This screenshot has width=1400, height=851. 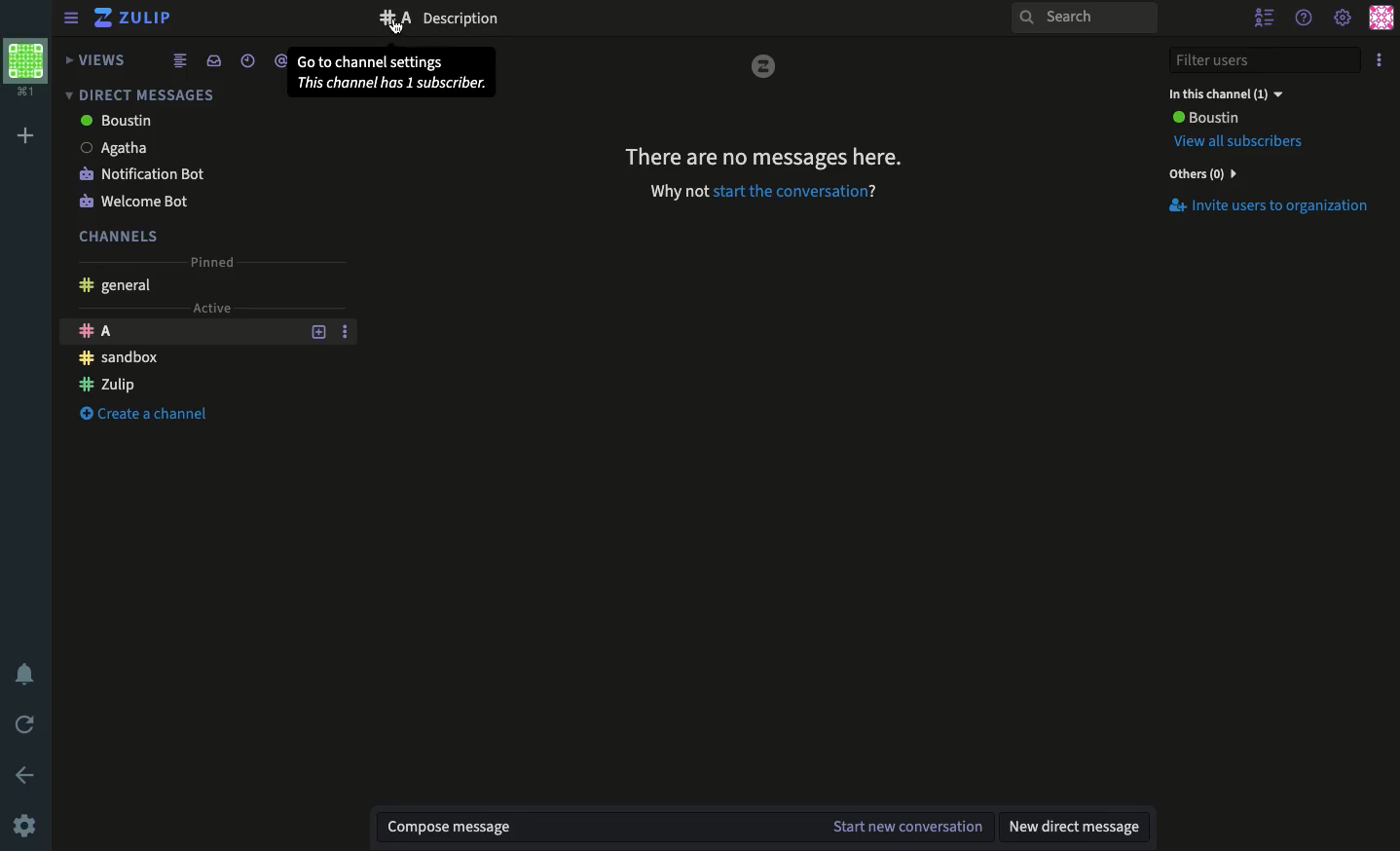 What do you see at coordinates (137, 94) in the screenshot?
I see `DM` at bounding box center [137, 94].